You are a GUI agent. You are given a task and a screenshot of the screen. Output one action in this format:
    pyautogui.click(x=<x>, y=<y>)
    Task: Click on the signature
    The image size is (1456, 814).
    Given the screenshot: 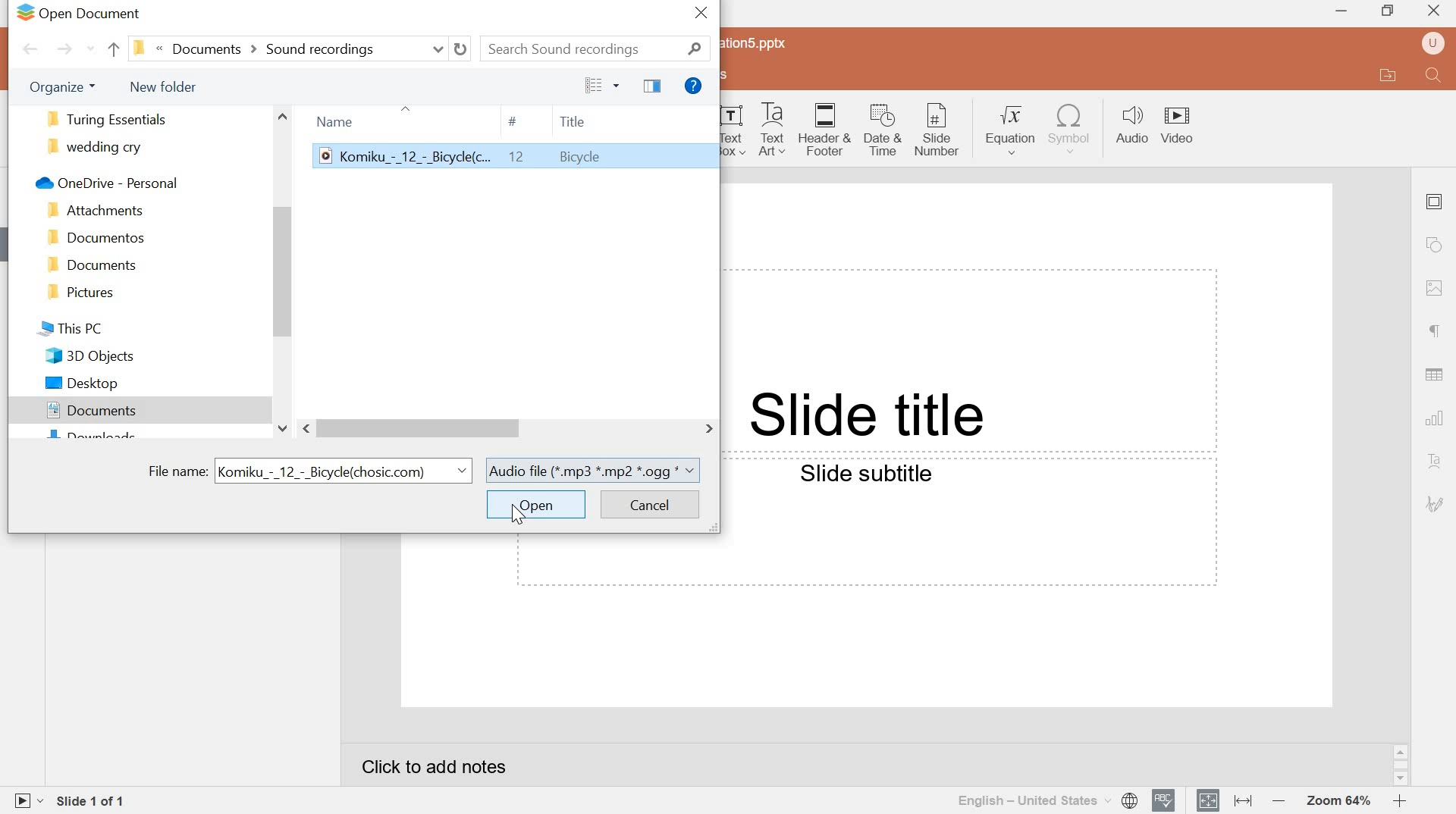 What is the action you would take?
    pyautogui.click(x=1435, y=505)
    